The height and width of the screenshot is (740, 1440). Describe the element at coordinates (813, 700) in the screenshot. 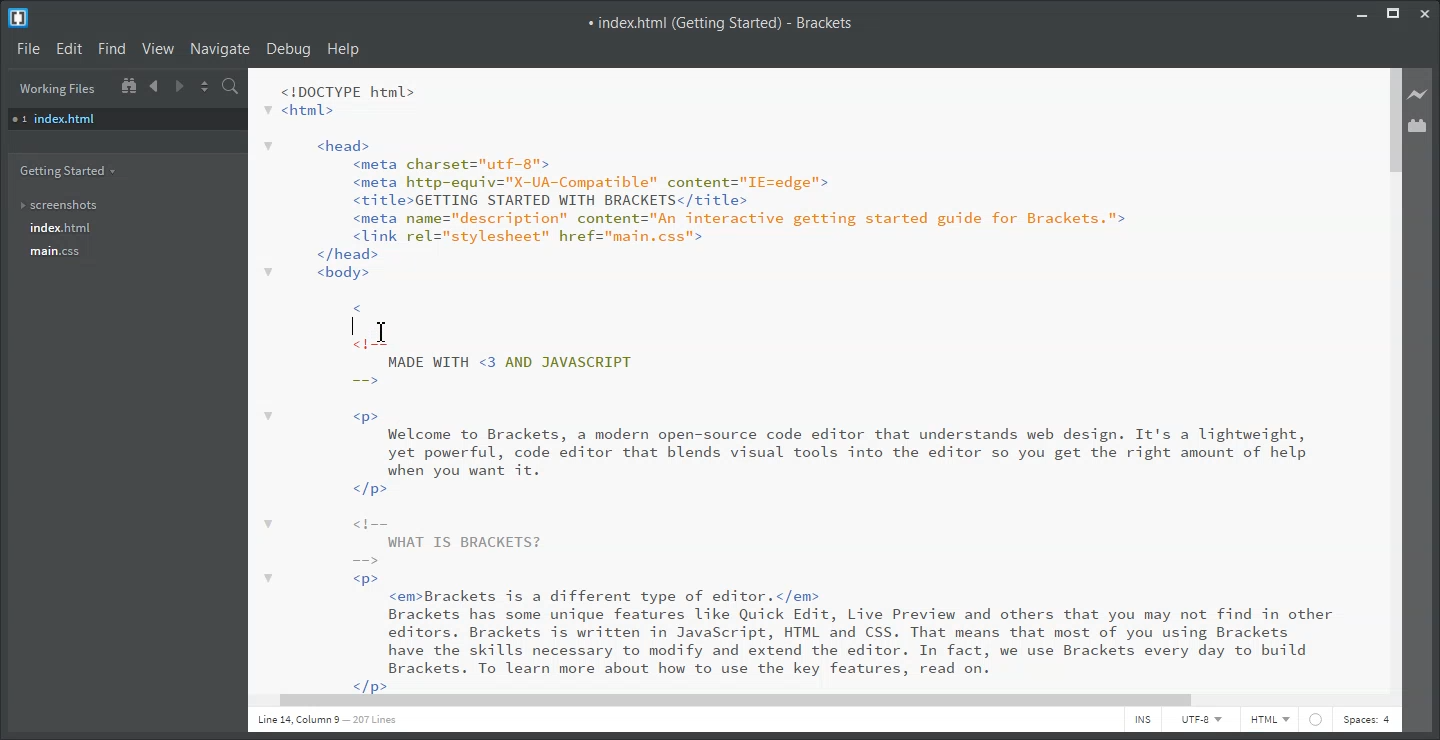

I see `Horizontal Scroll bar` at that location.